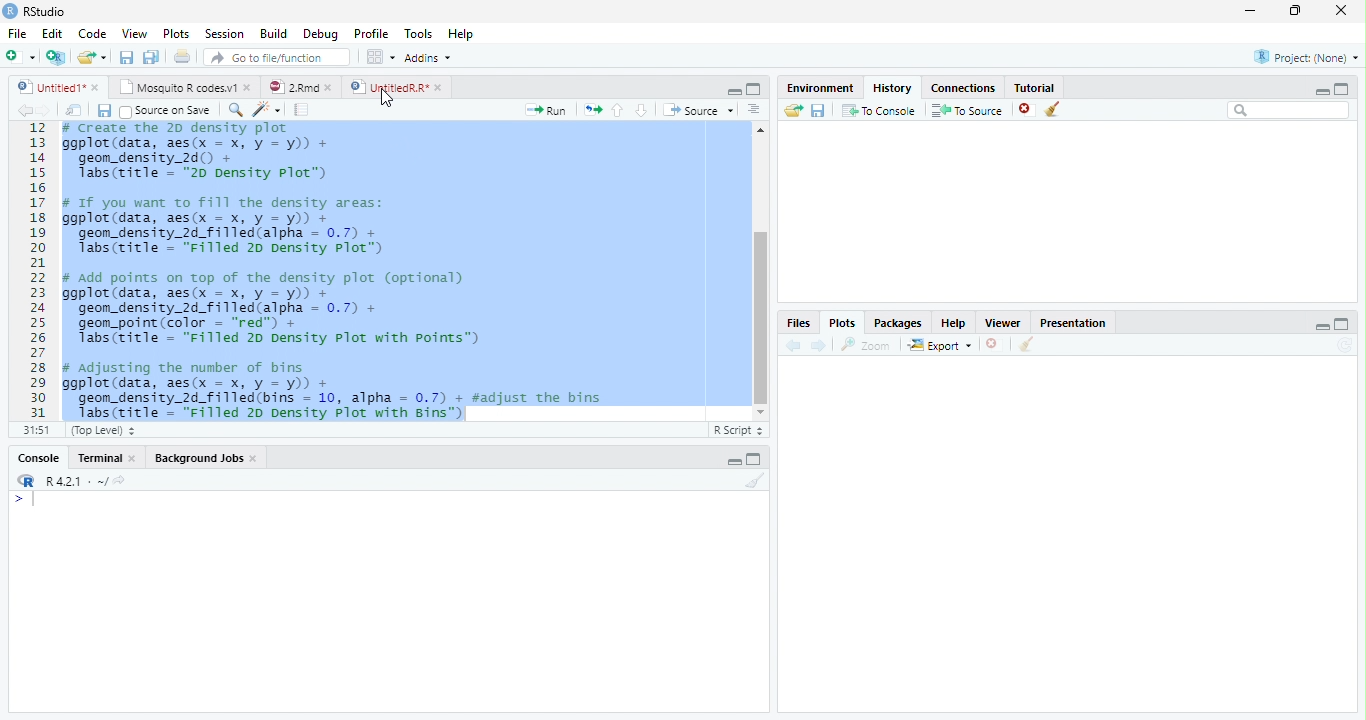 This screenshot has width=1366, height=720. I want to click on close, so click(250, 88).